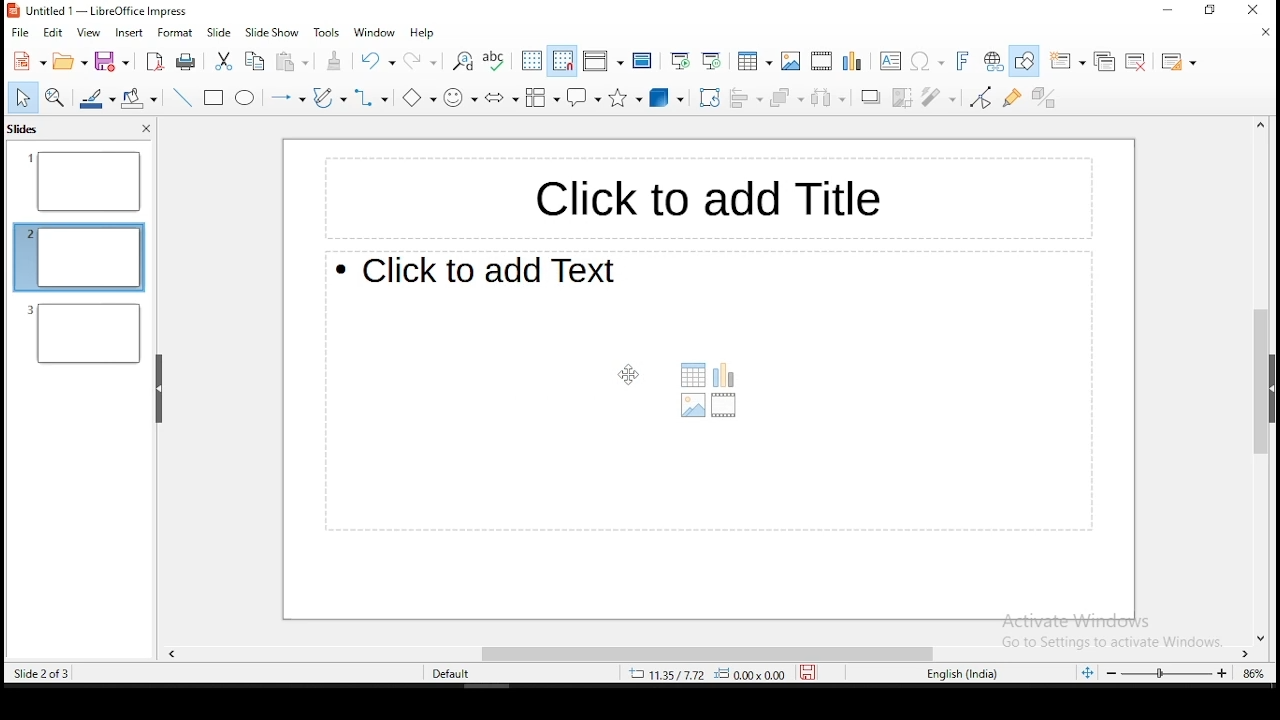  I want to click on distribute, so click(828, 99).